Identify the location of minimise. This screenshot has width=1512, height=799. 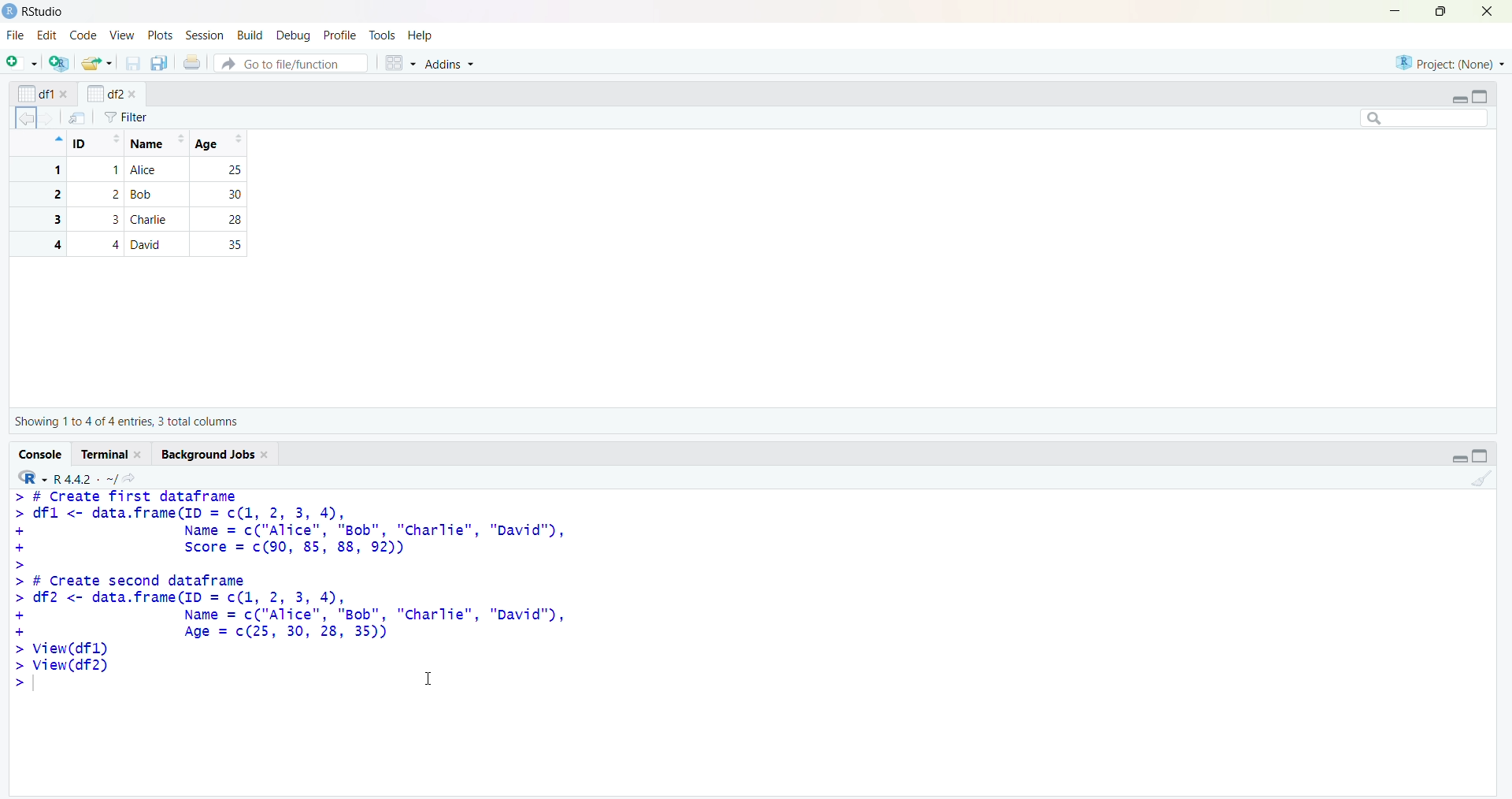
(1395, 10).